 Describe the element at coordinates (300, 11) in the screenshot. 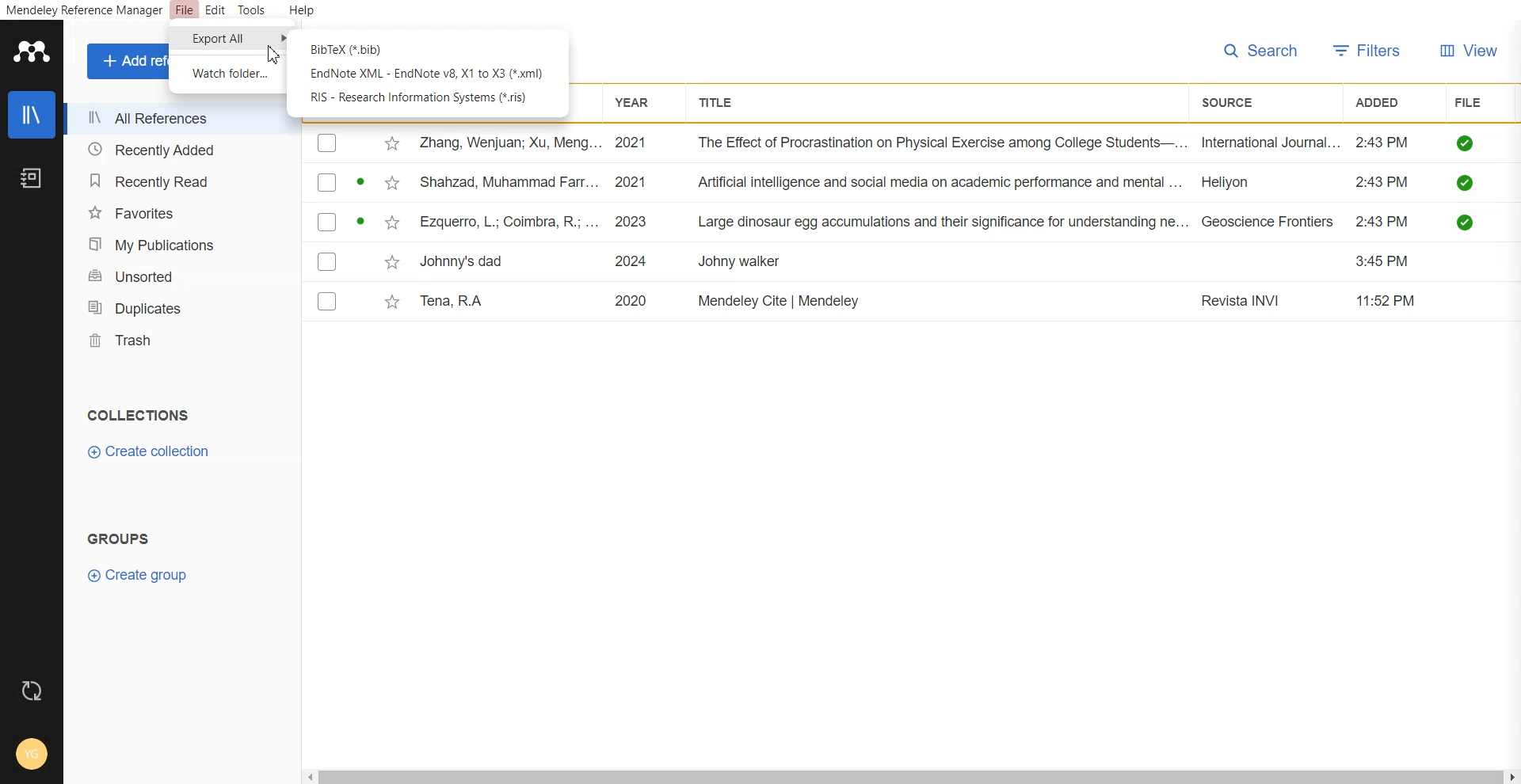

I see `Help` at that location.